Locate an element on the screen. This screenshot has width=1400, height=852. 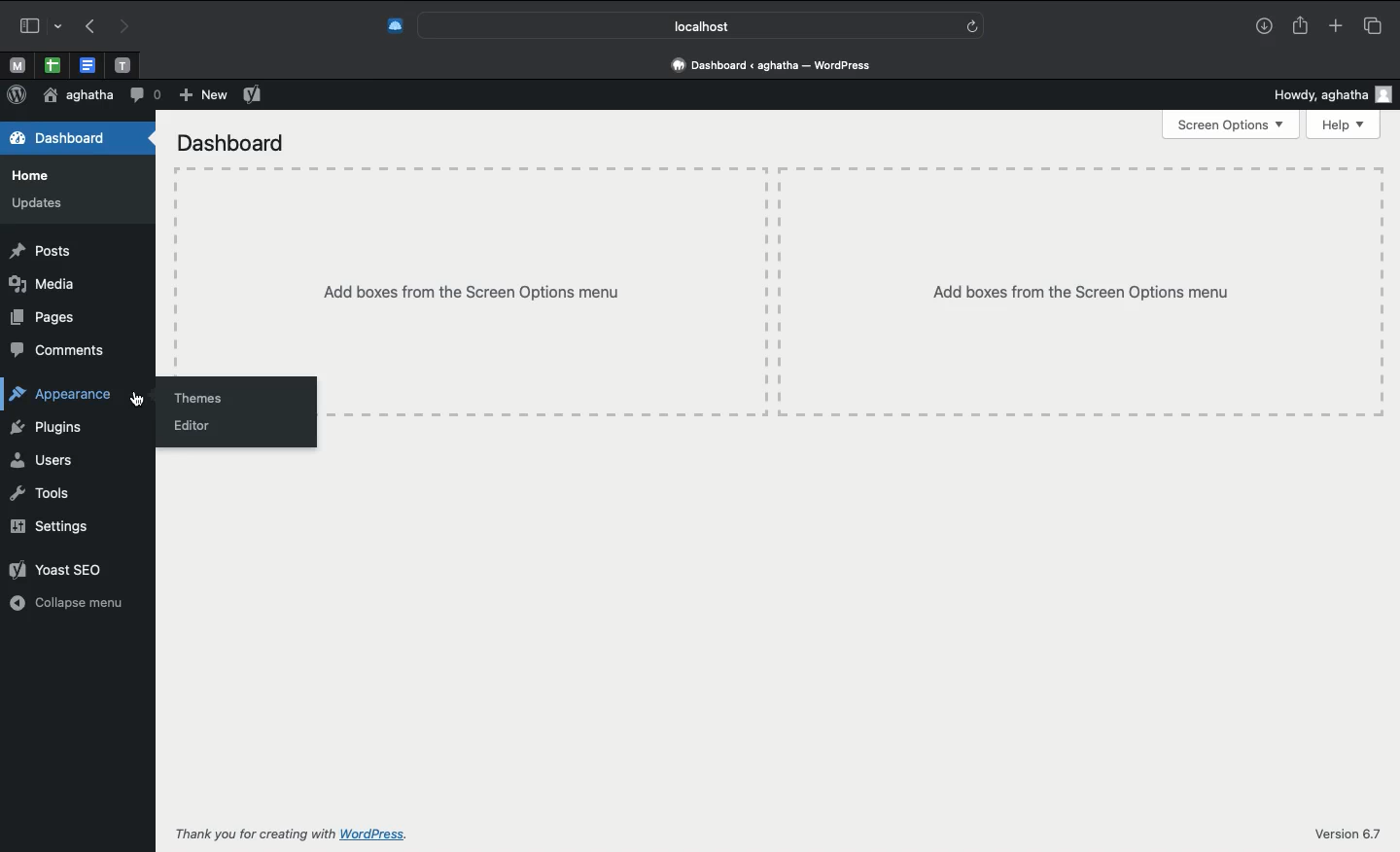
Redo is located at coordinates (122, 27).